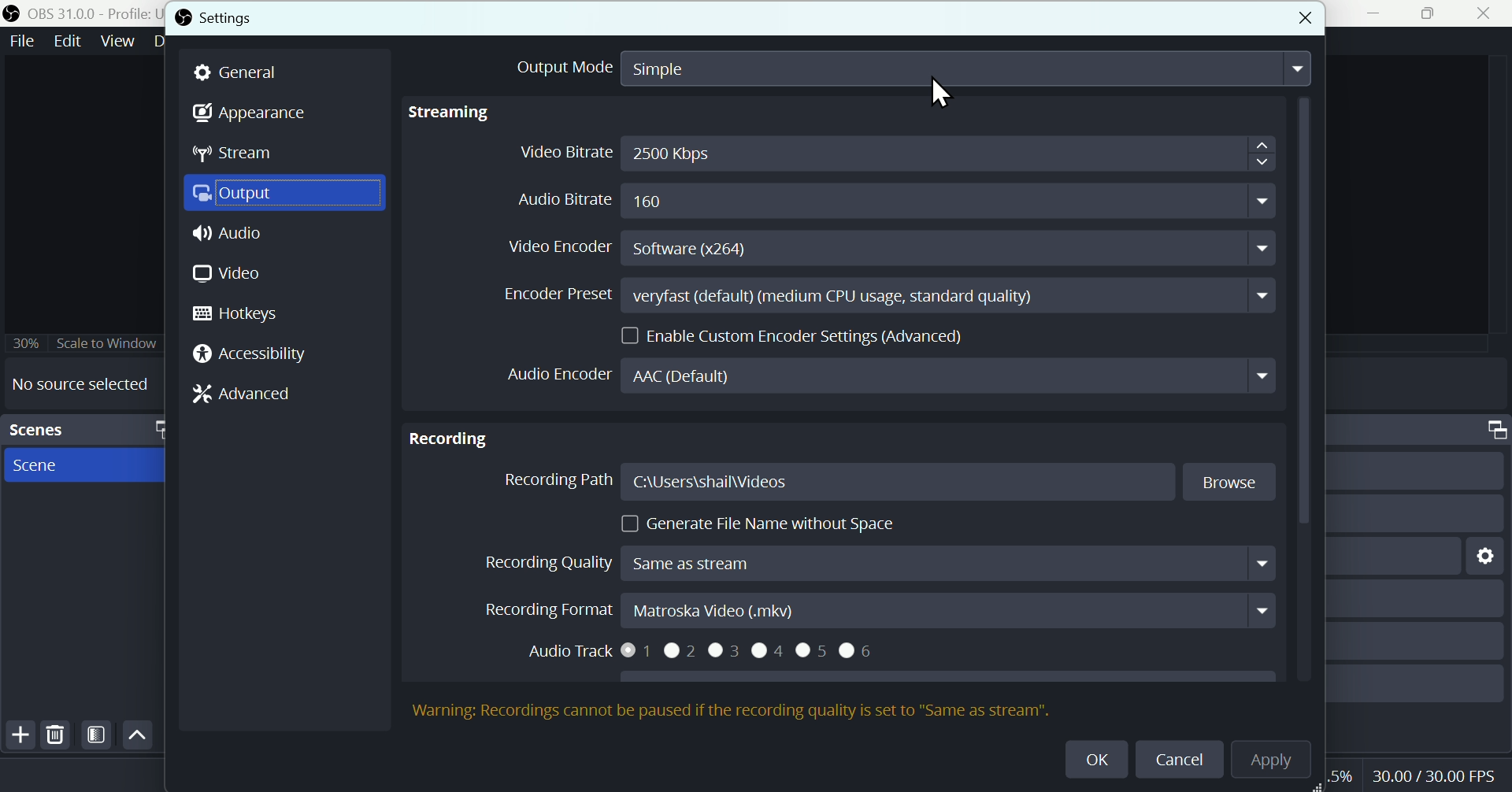 Image resolution: width=1512 pixels, height=792 pixels. I want to click on Add, so click(18, 735).